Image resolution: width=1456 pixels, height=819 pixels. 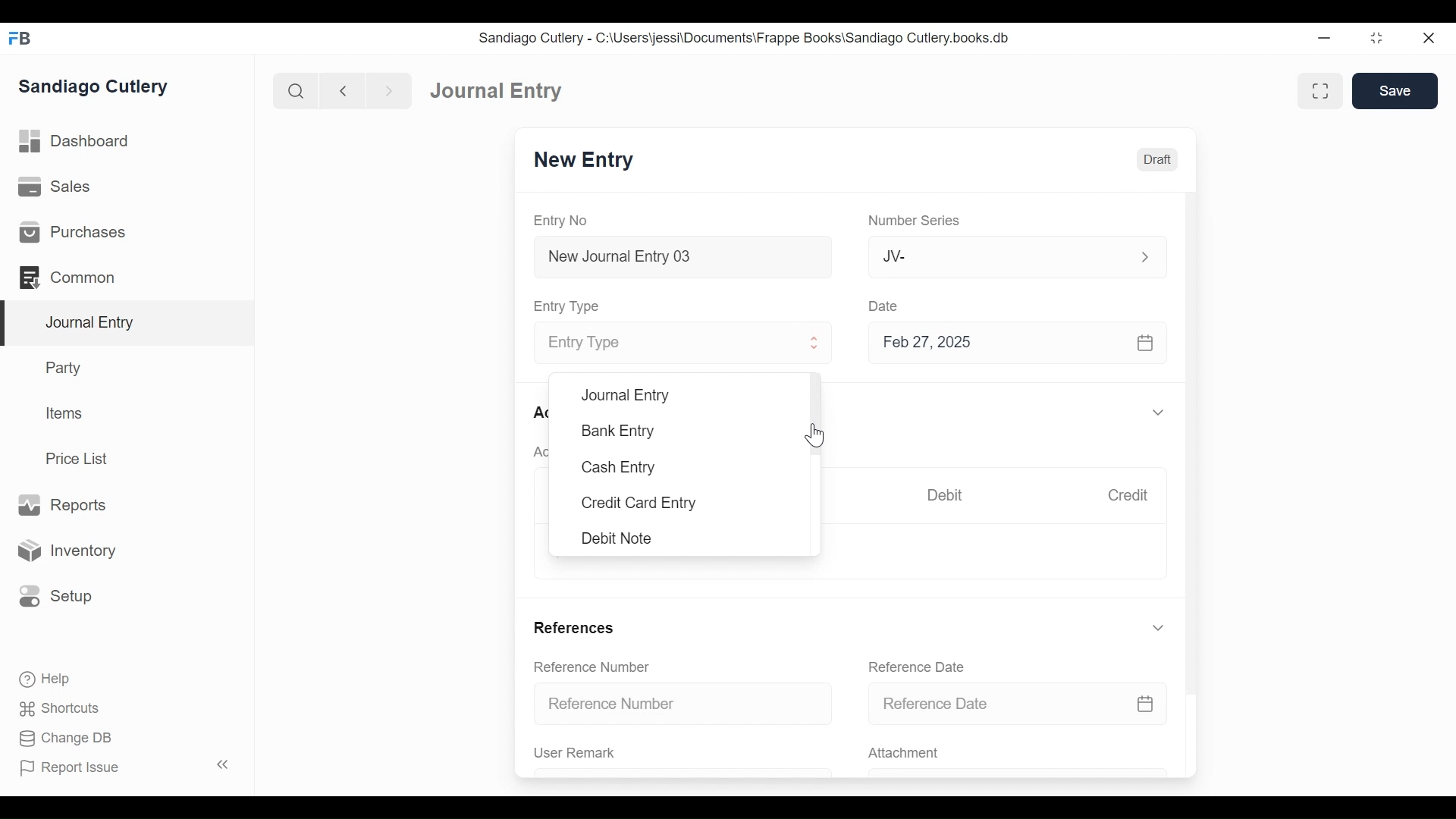 I want to click on Debit Note, so click(x=622, y=539).